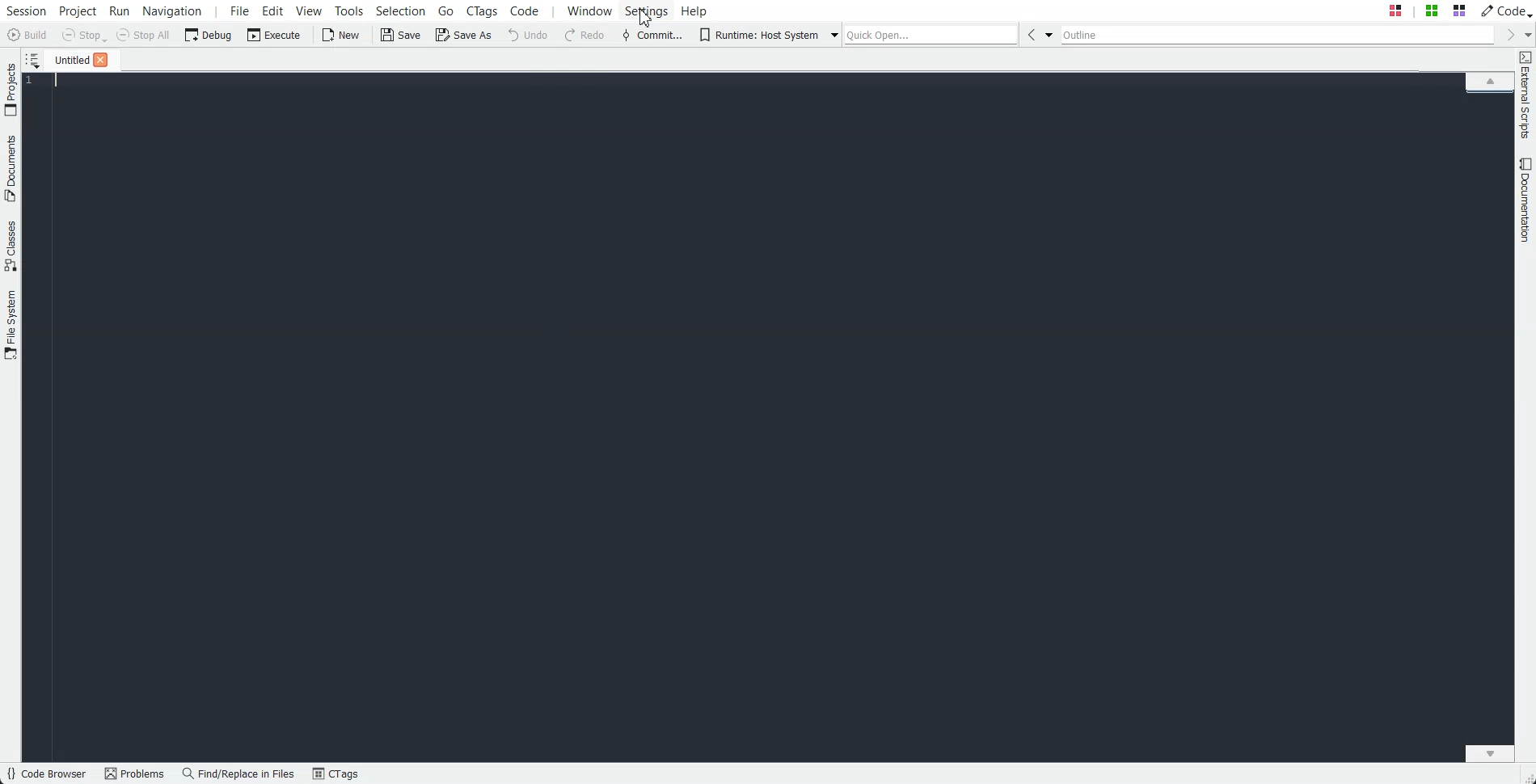  I want to click on New, so click(340, 35).